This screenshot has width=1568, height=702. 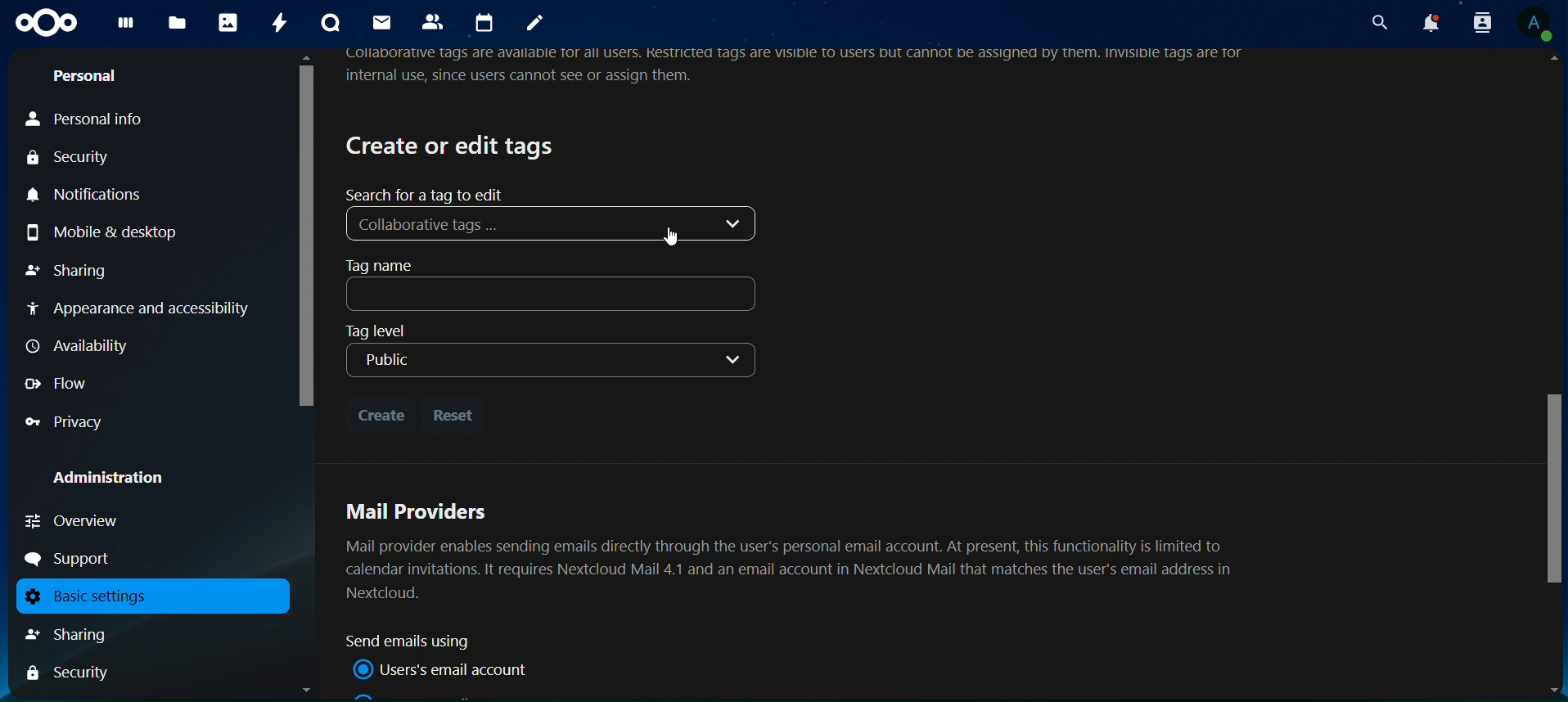 I want to click on Public , so click(x=549, y=362).